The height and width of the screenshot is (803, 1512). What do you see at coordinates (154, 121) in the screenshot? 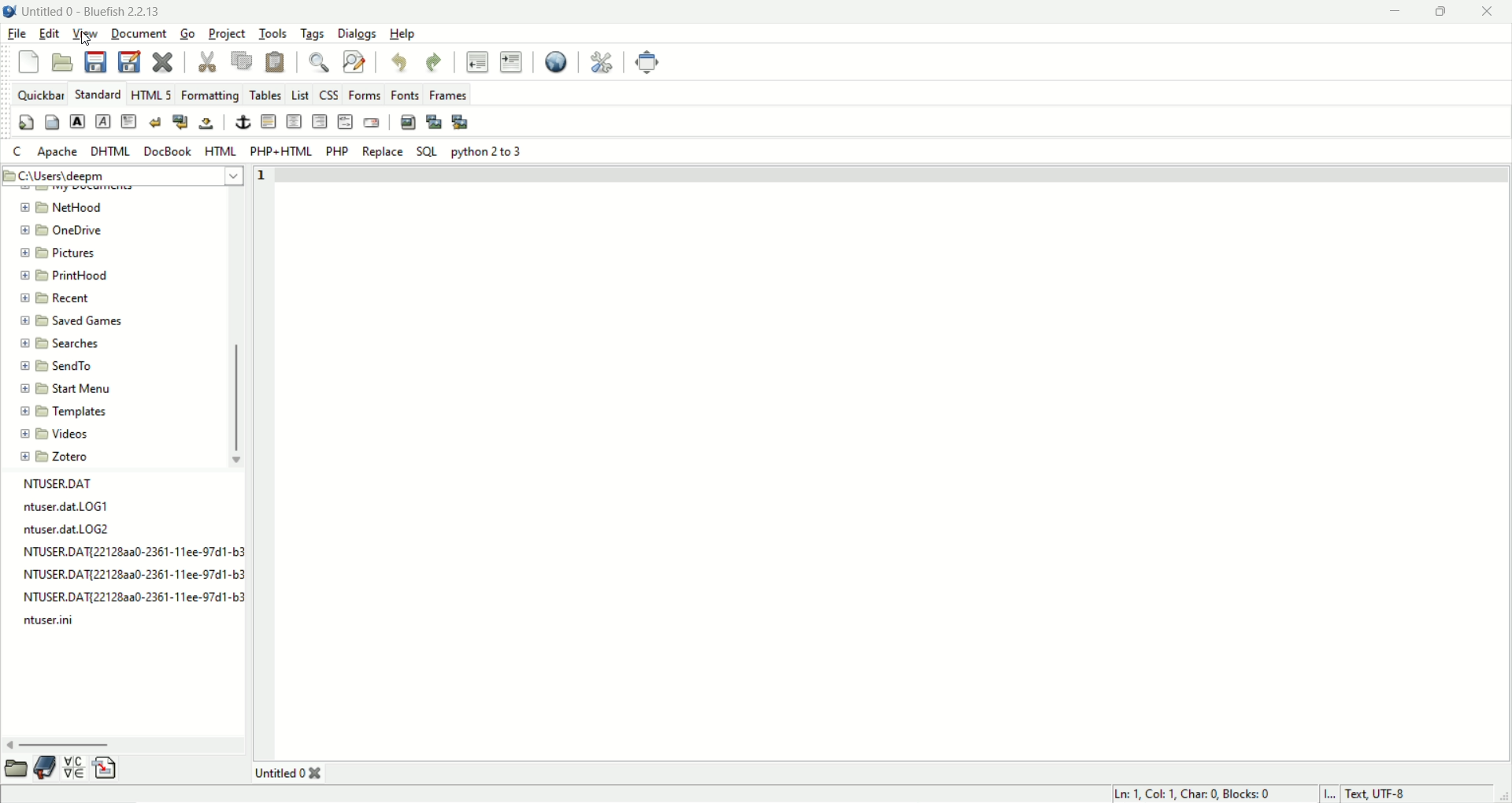
I see `break` at bounding box center [154, 121].